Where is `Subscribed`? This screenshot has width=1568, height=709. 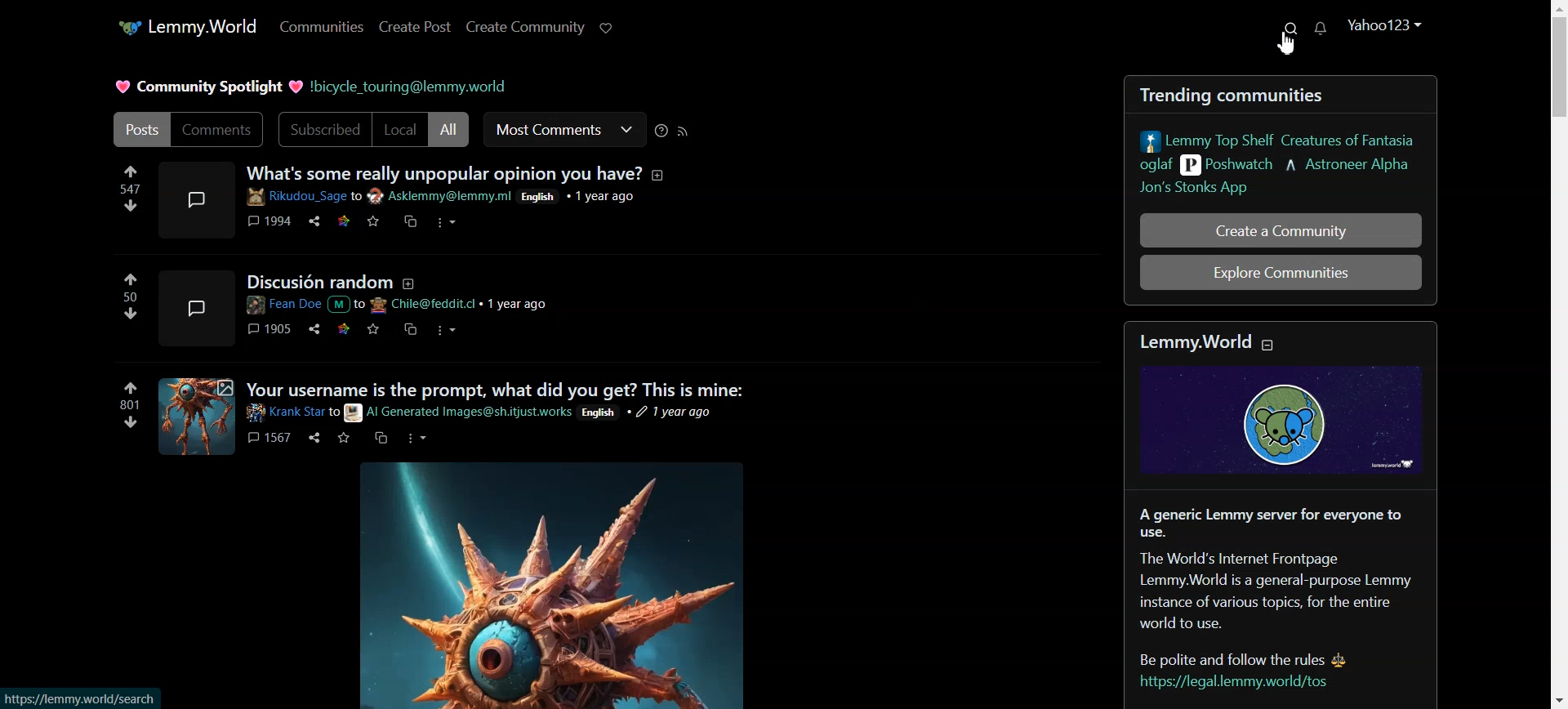 Subscribed is located at coordinates (321, 129).